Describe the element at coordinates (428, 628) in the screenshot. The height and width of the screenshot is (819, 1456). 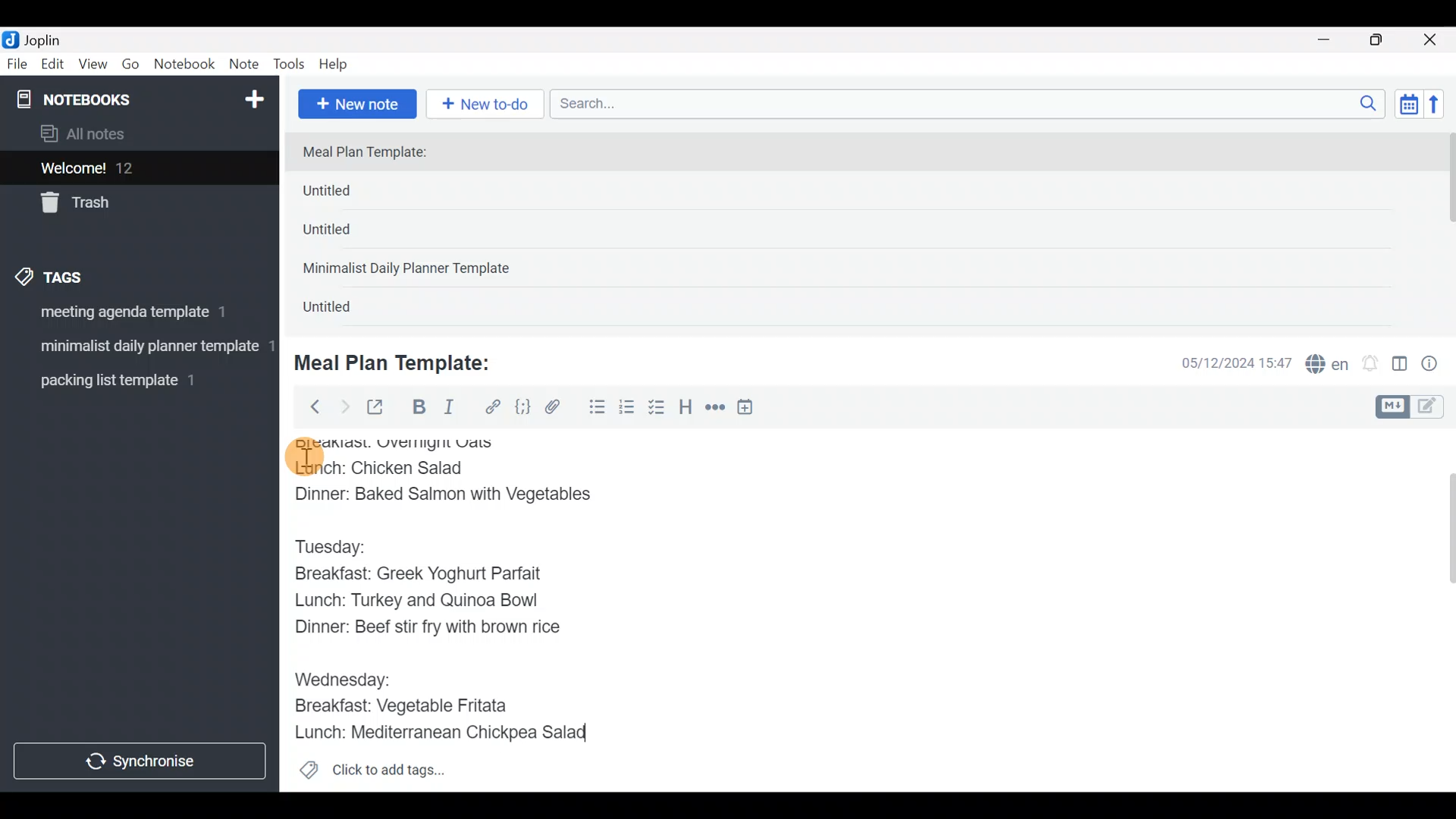
I see `Dinner: Beef stir fry with brown rice` at that location.